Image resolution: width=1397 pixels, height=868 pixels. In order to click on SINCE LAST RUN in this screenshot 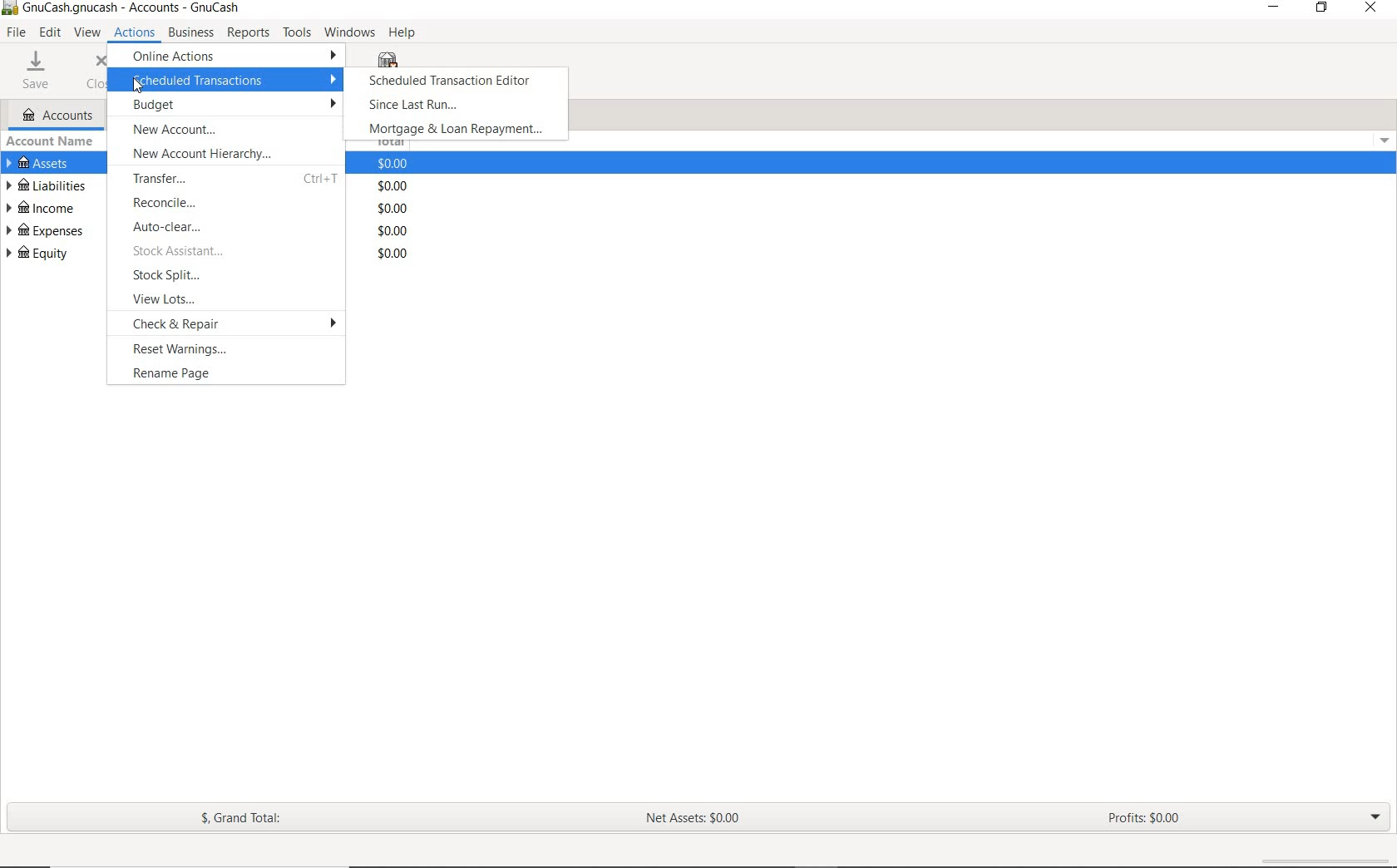, I will do `click(416, 106)`.